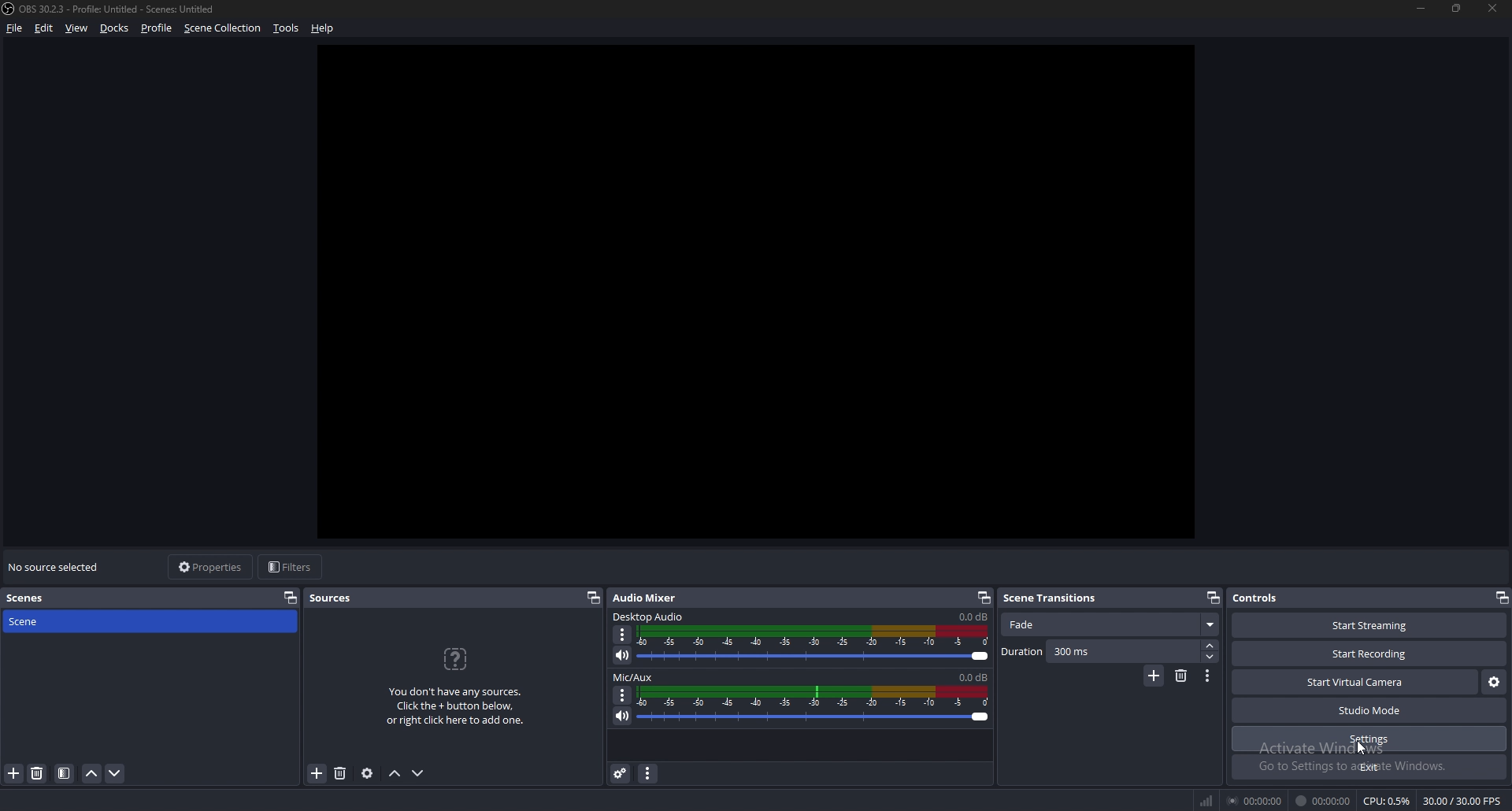  Describe the element at coordinates (340, 773) in the screenshot. I see `remove source` at that location.